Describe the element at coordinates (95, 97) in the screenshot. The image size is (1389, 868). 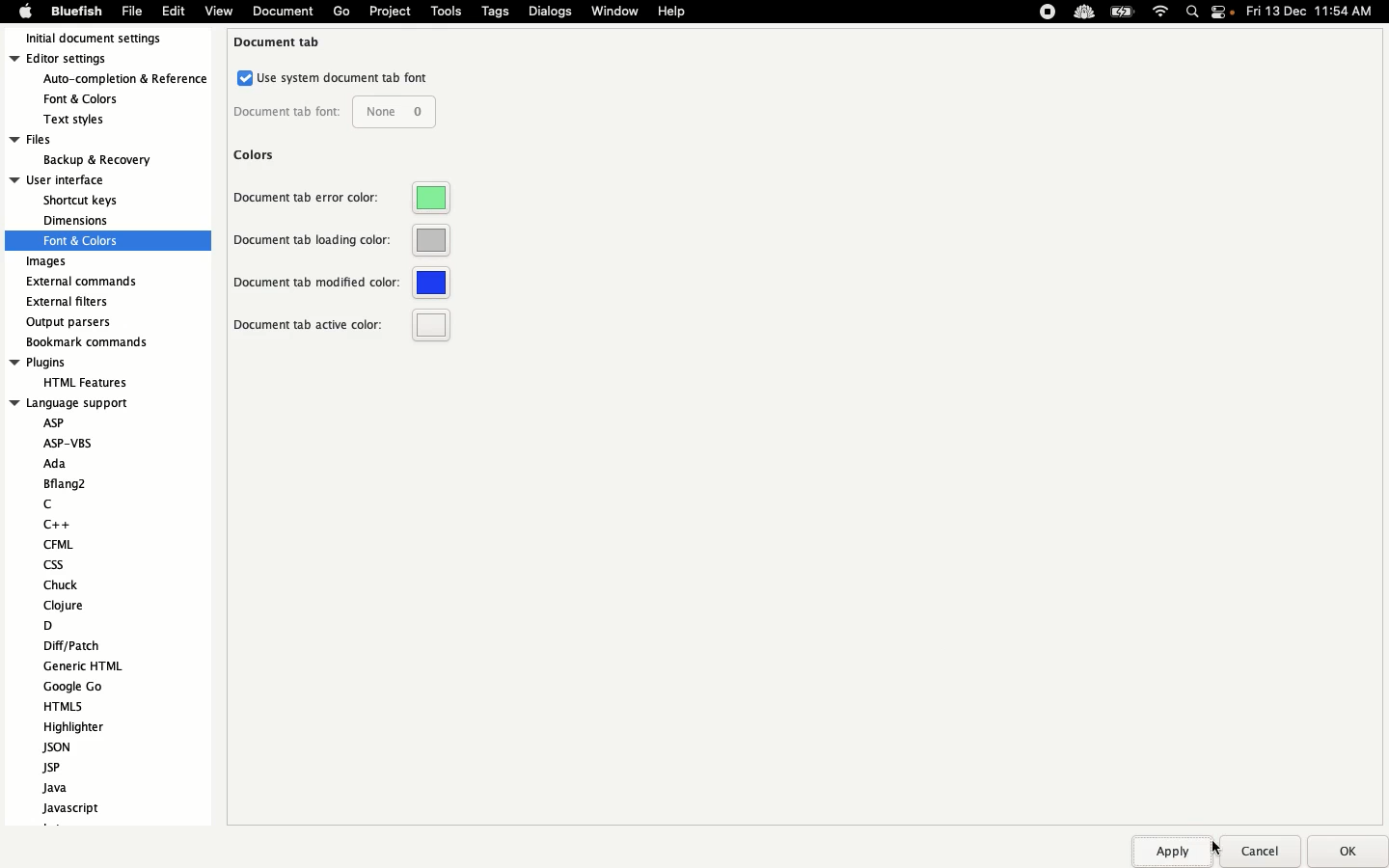
I see `fonts & colors` at that location.